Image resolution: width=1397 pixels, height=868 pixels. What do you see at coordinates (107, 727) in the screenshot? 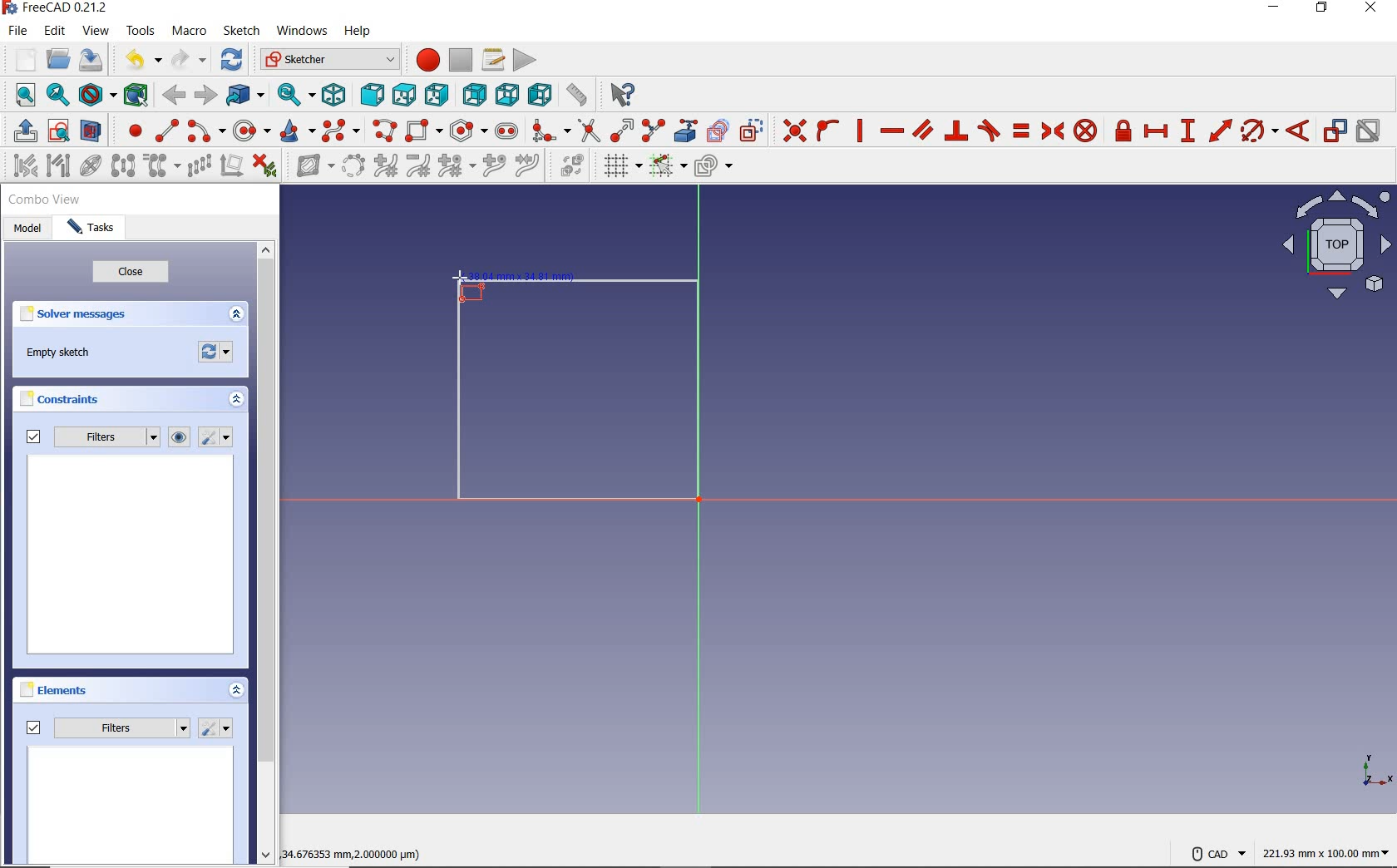
I see `filters` at bounding box center [107, 727].